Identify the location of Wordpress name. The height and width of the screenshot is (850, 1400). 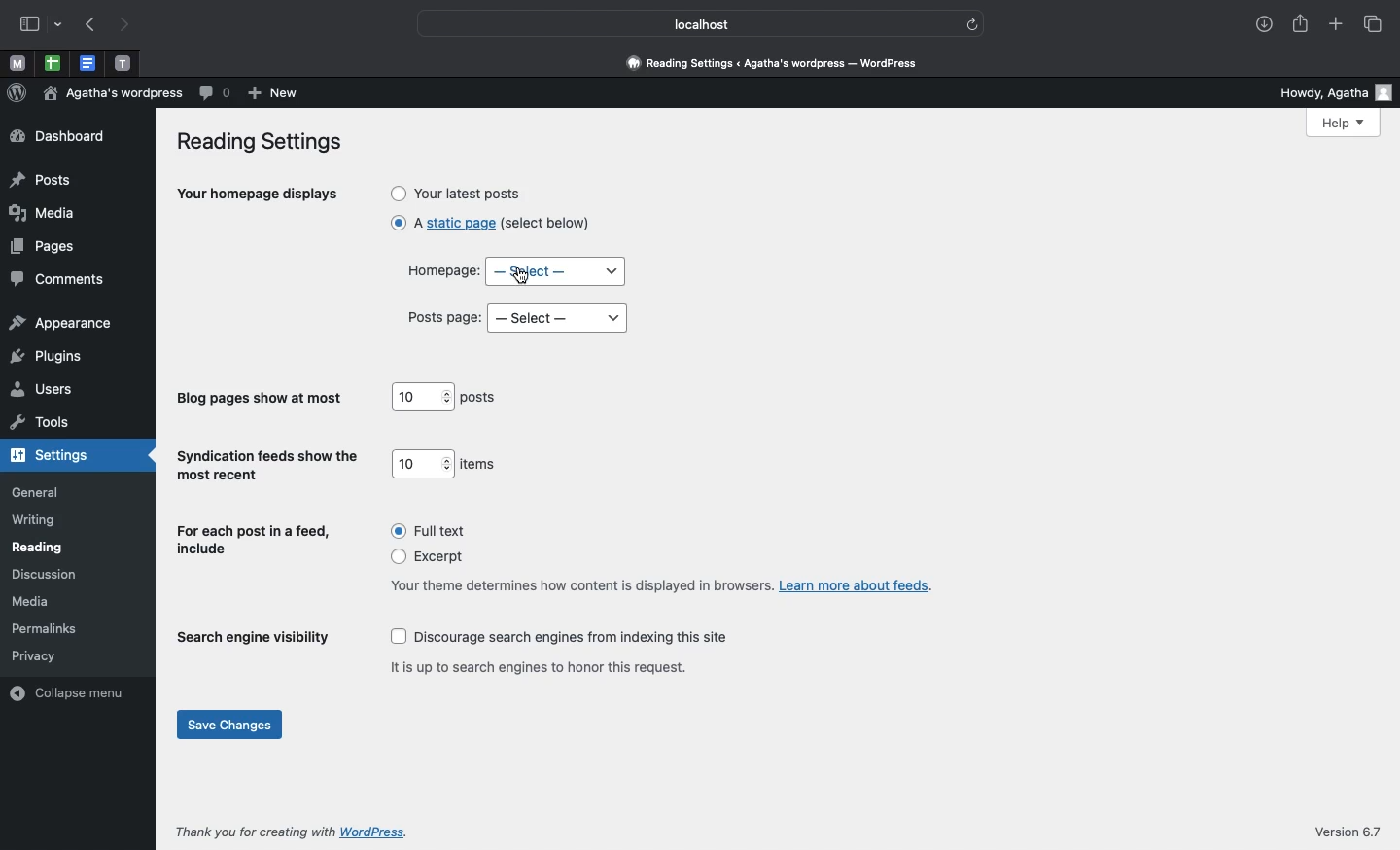
(115, 92).